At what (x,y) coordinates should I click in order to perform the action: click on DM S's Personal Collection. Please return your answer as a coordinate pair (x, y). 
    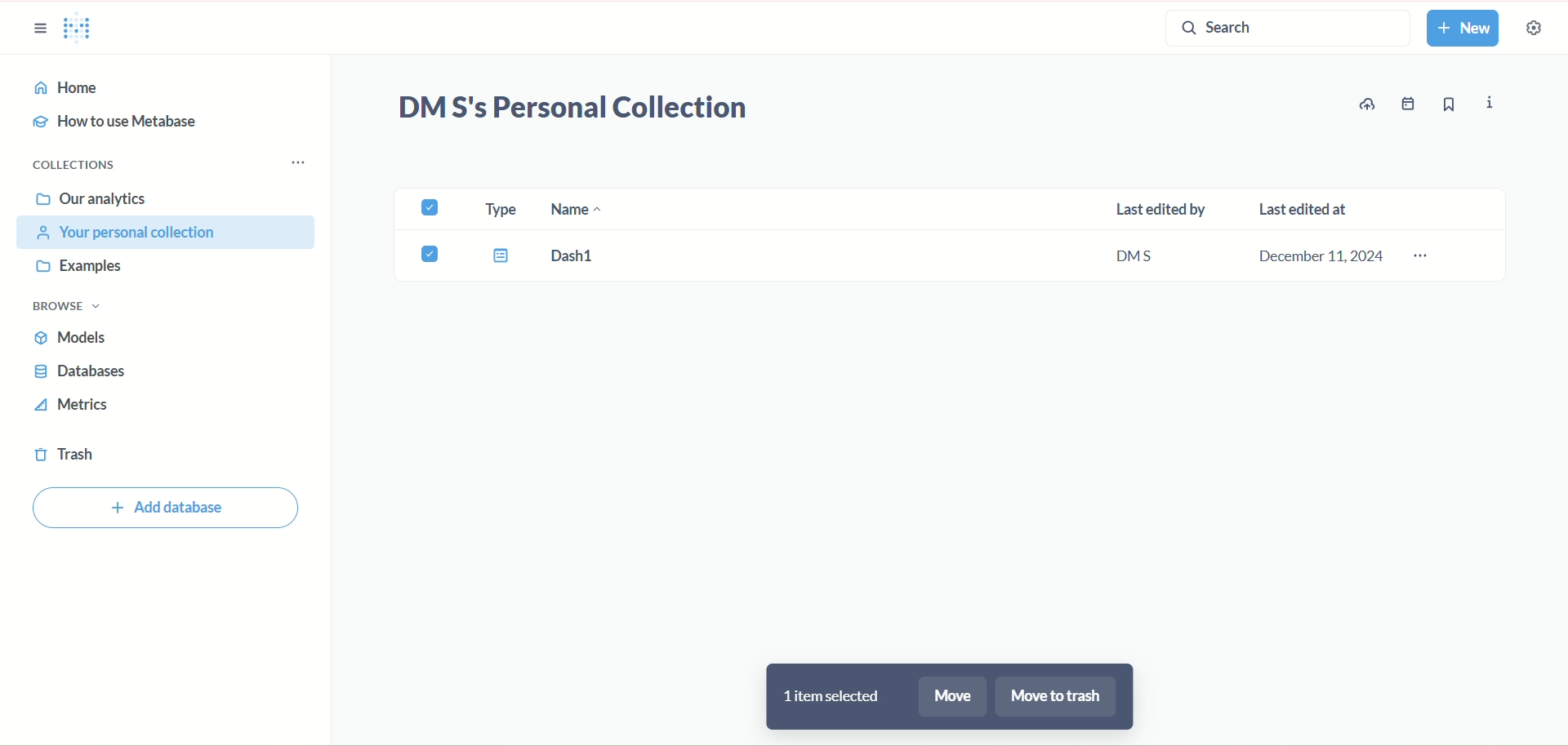
    Looking at the image, I should click on (572, 107).